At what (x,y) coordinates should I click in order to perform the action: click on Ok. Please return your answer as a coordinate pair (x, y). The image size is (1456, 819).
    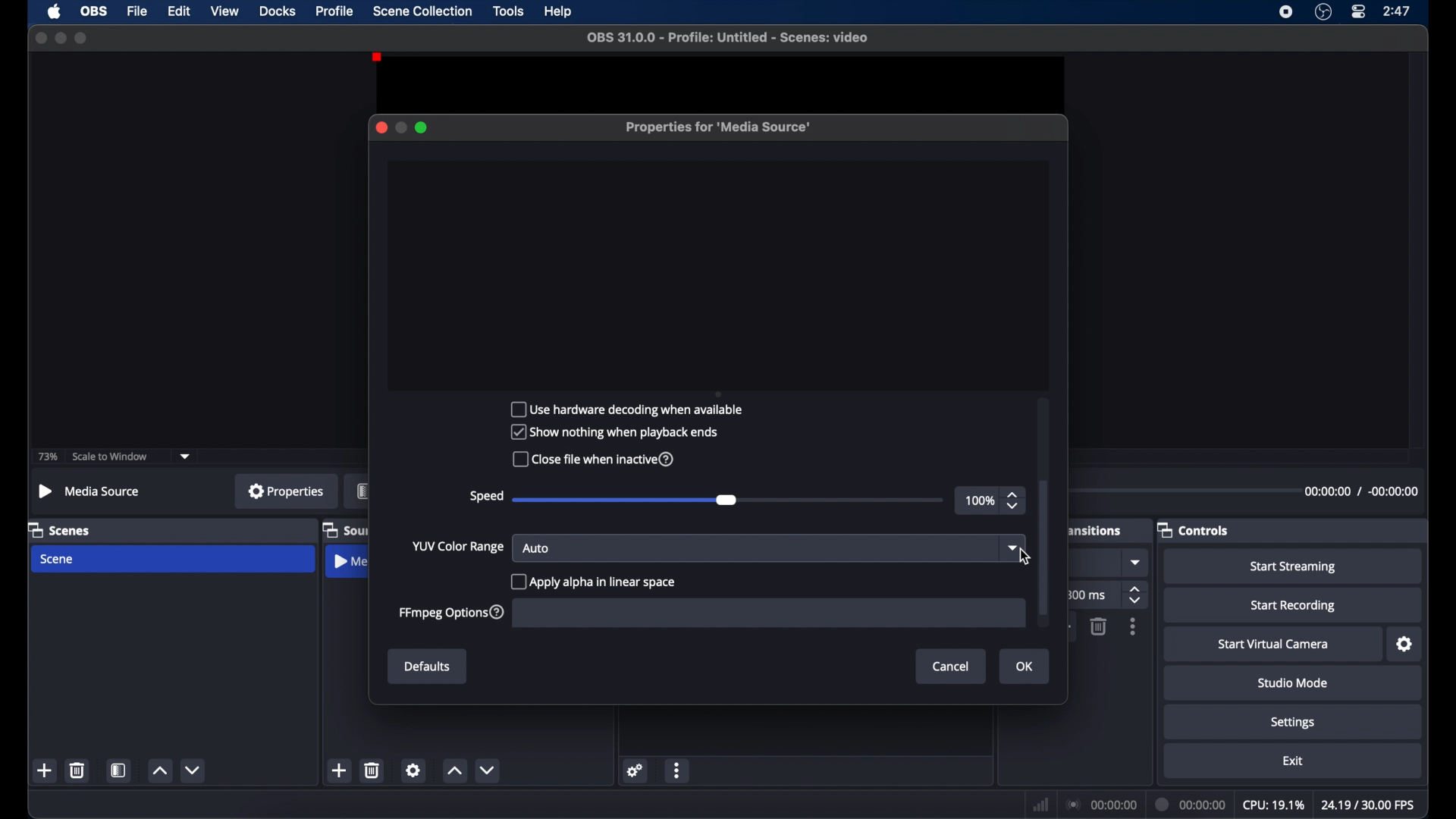
    Looking at the image, I should click on (1023, 667).